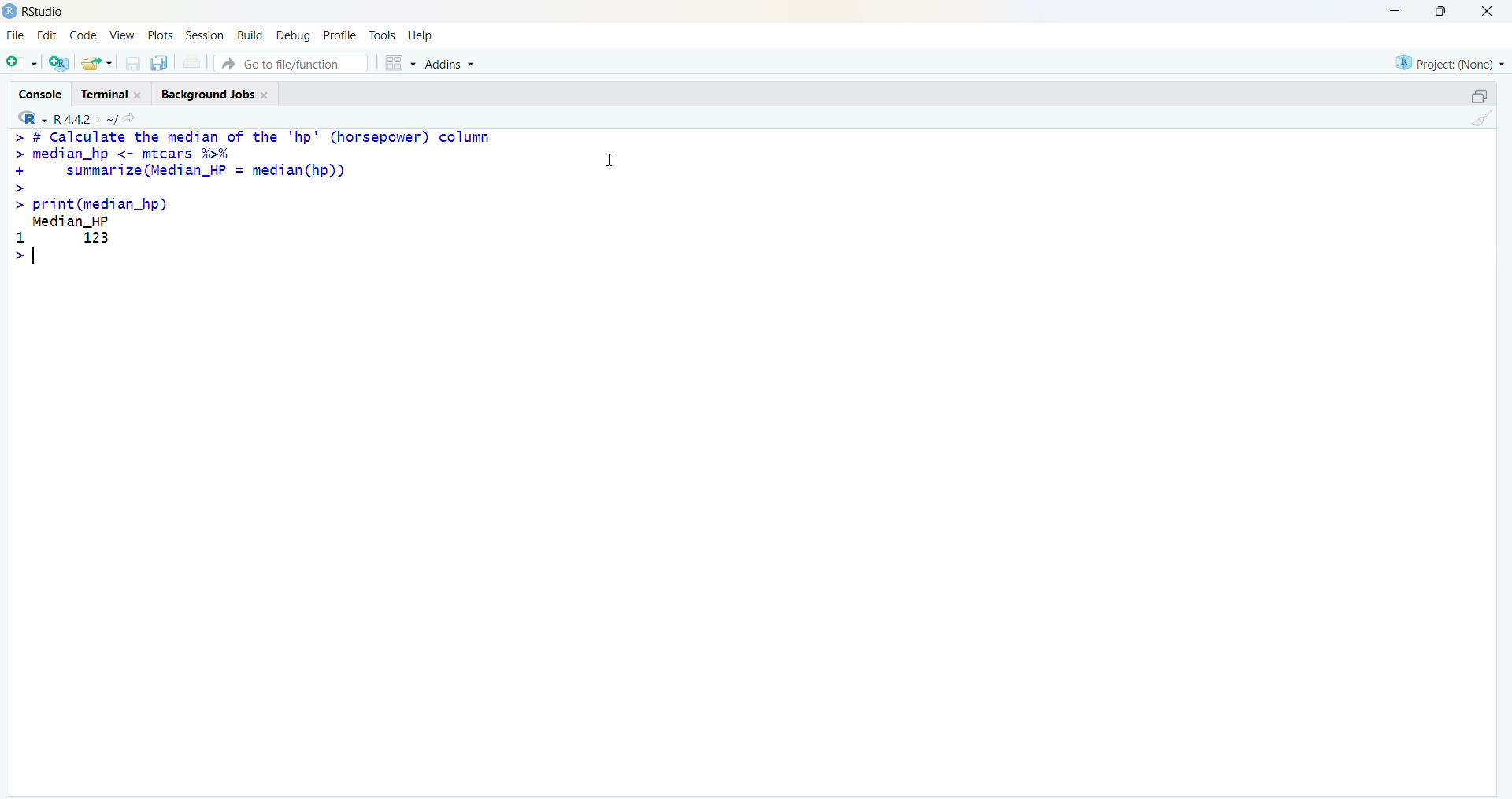 The height and width of the screenshot is (799, 1512). I want to click on open R file, so click(58, 64).